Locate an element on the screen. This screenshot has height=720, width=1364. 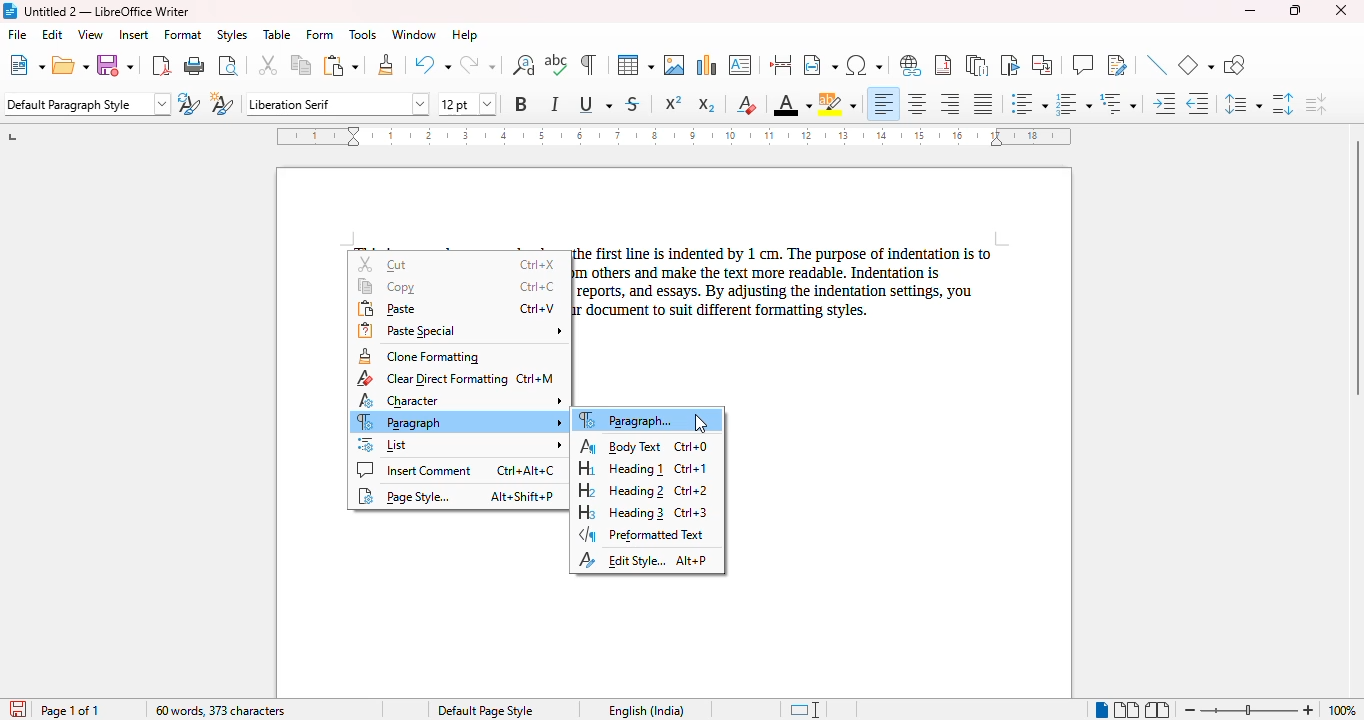
character highlighting color is located at coordinates (836, 104).